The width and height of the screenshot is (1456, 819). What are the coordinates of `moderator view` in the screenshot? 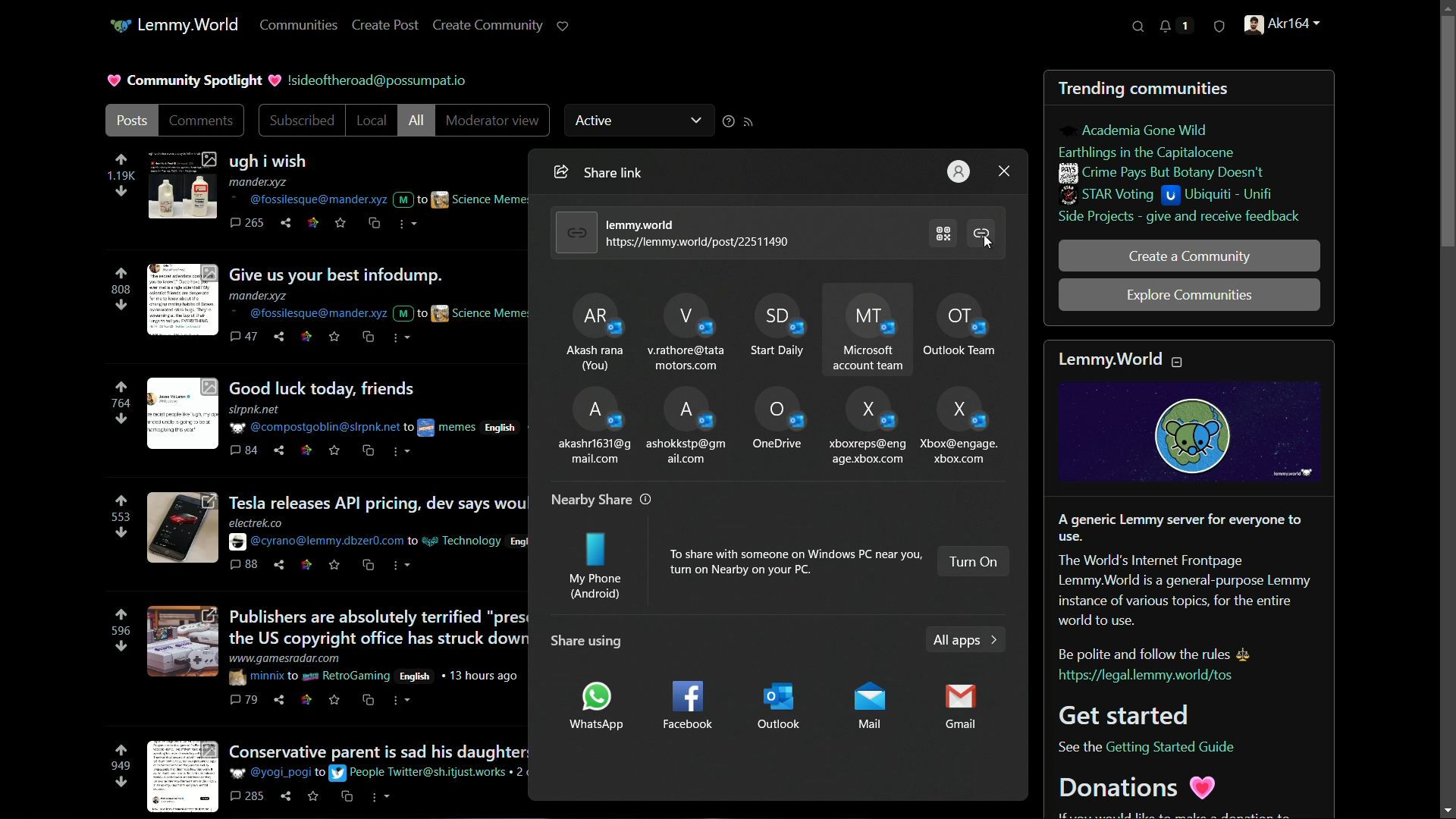 It's located at (490, 121).